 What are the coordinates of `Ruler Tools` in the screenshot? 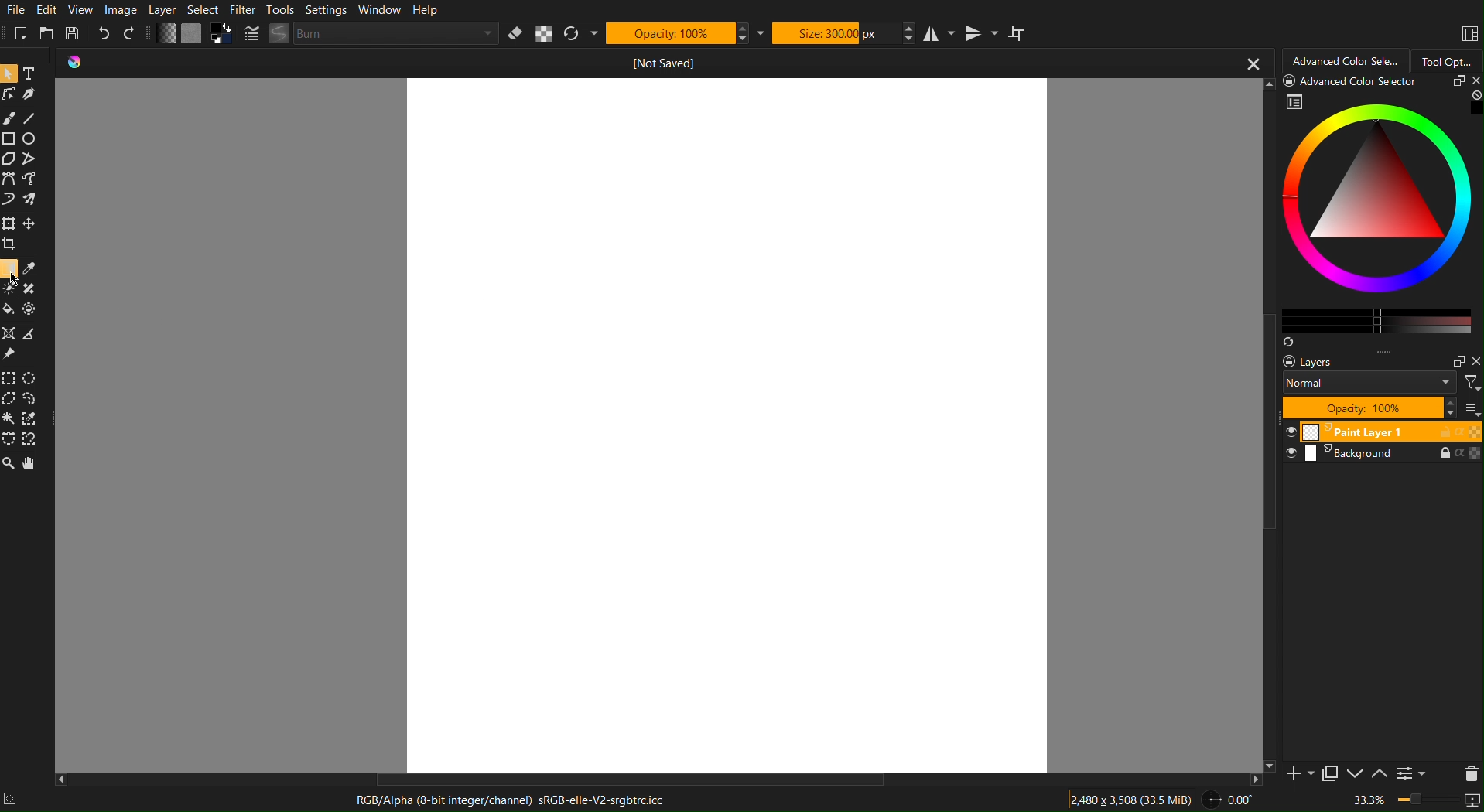 It's located at (22, 342).